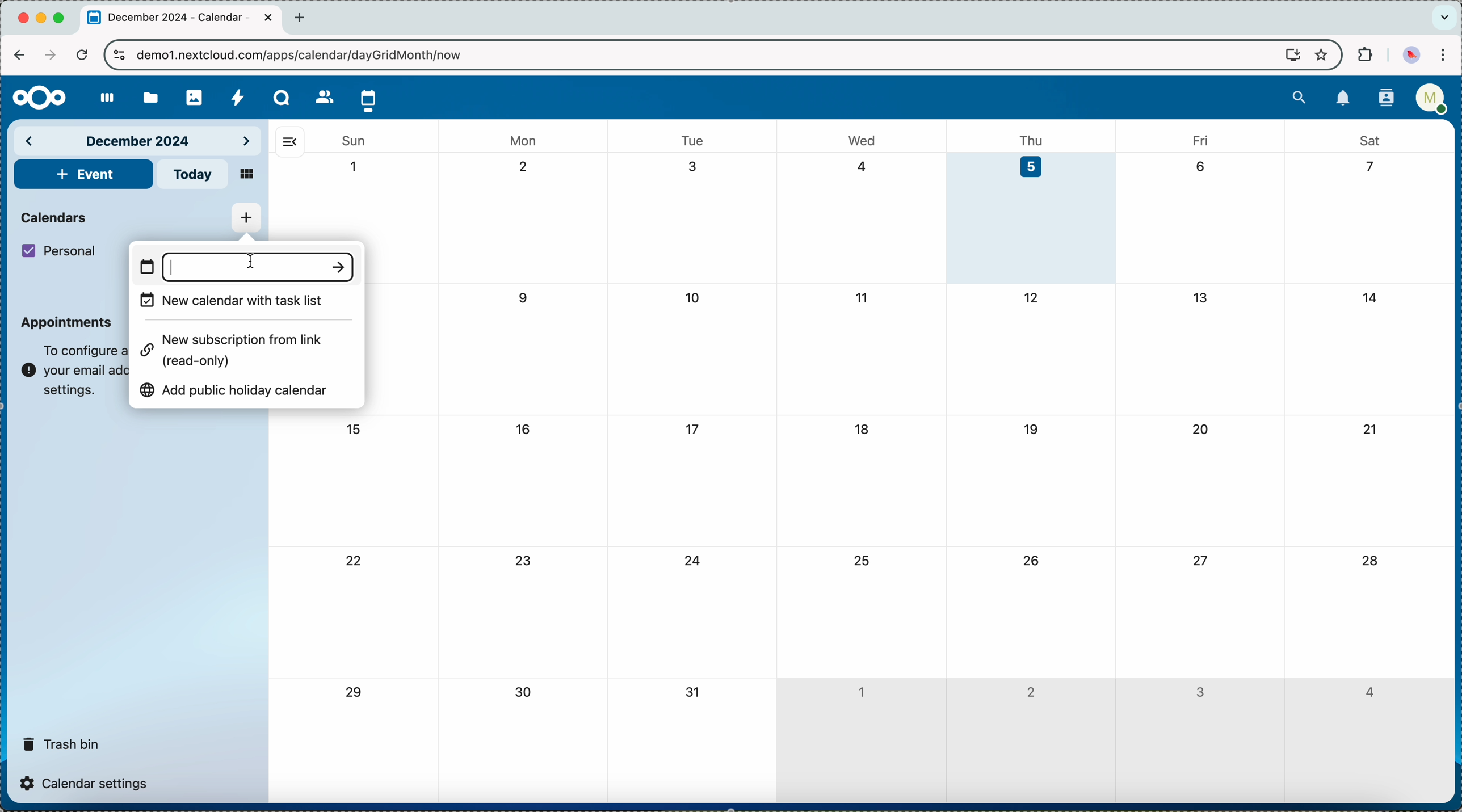 This screenshot has height=812, width=1462. What do you see at coordinates (1200, 693) in the screenshot?
I see `3` at bounding box center [1200, 693].